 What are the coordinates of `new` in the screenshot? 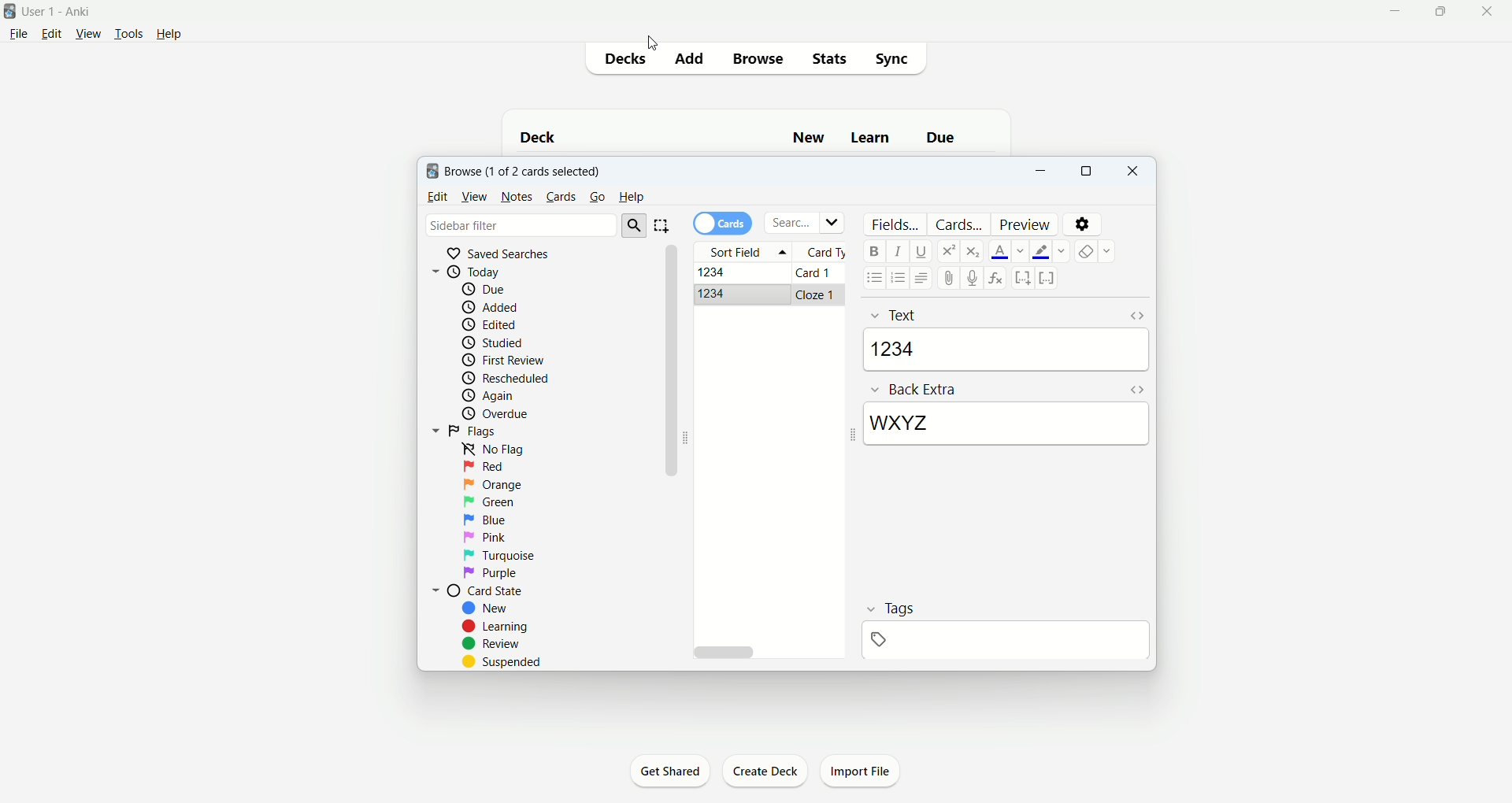 It's located at (807, 139).